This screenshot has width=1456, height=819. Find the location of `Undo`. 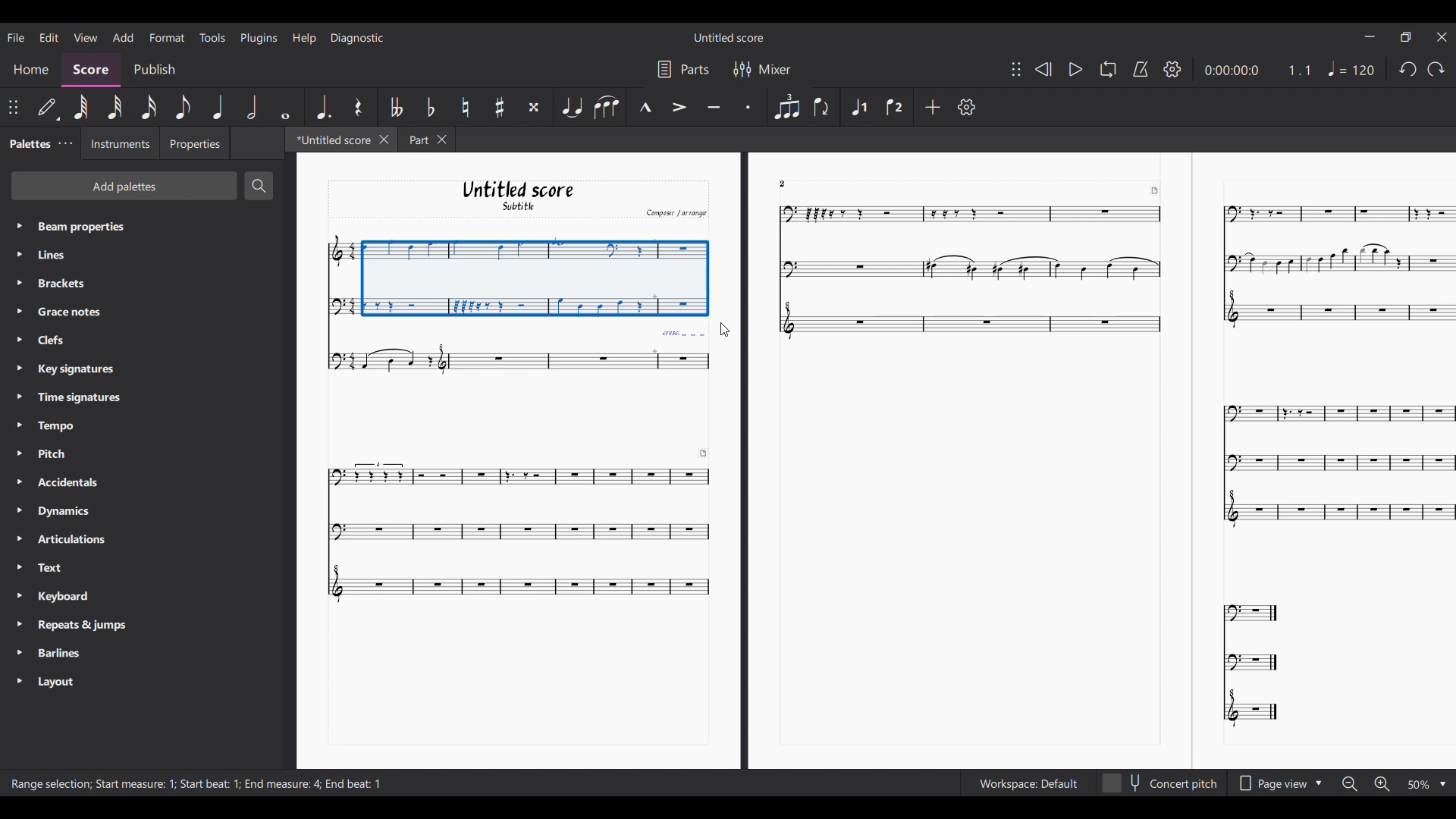

Undo is located at coordinates (1436, 72).